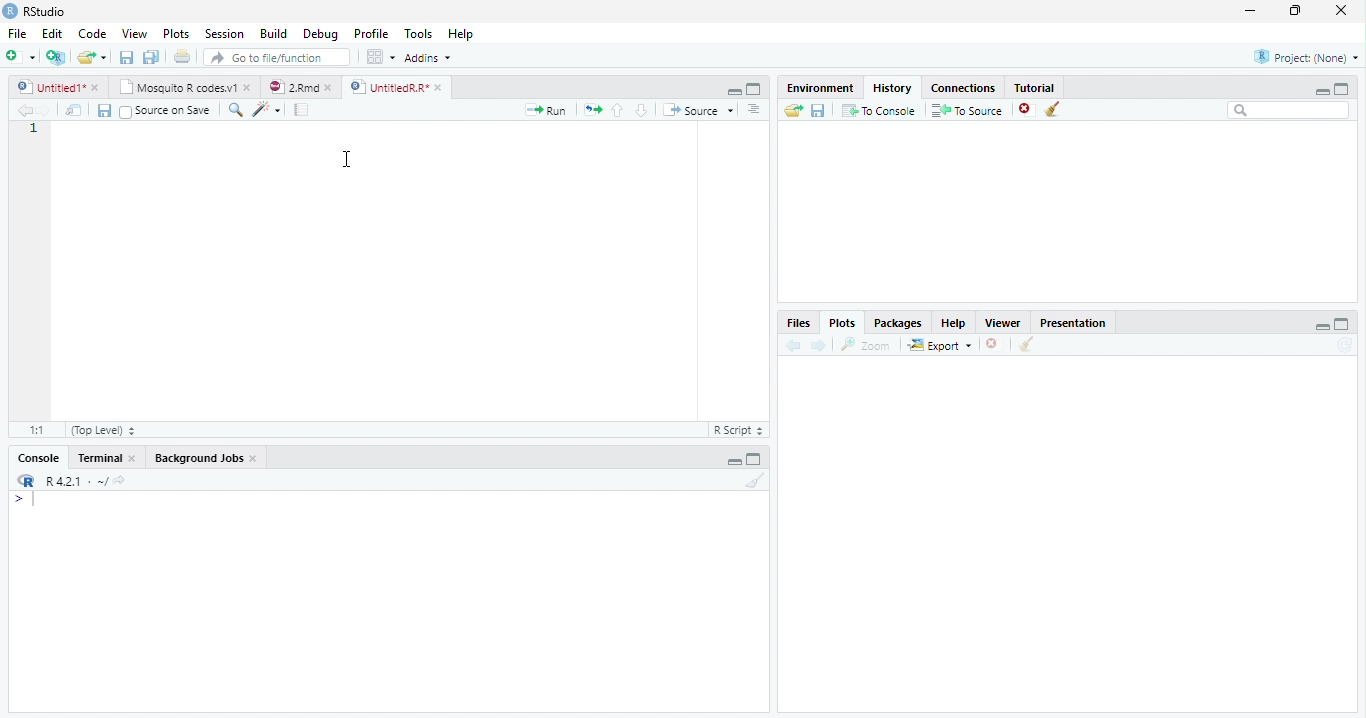  What do you see at coordinates (1321, 89) in the screenshot?
I see `Minimize` at bounding box center [1321, 89].